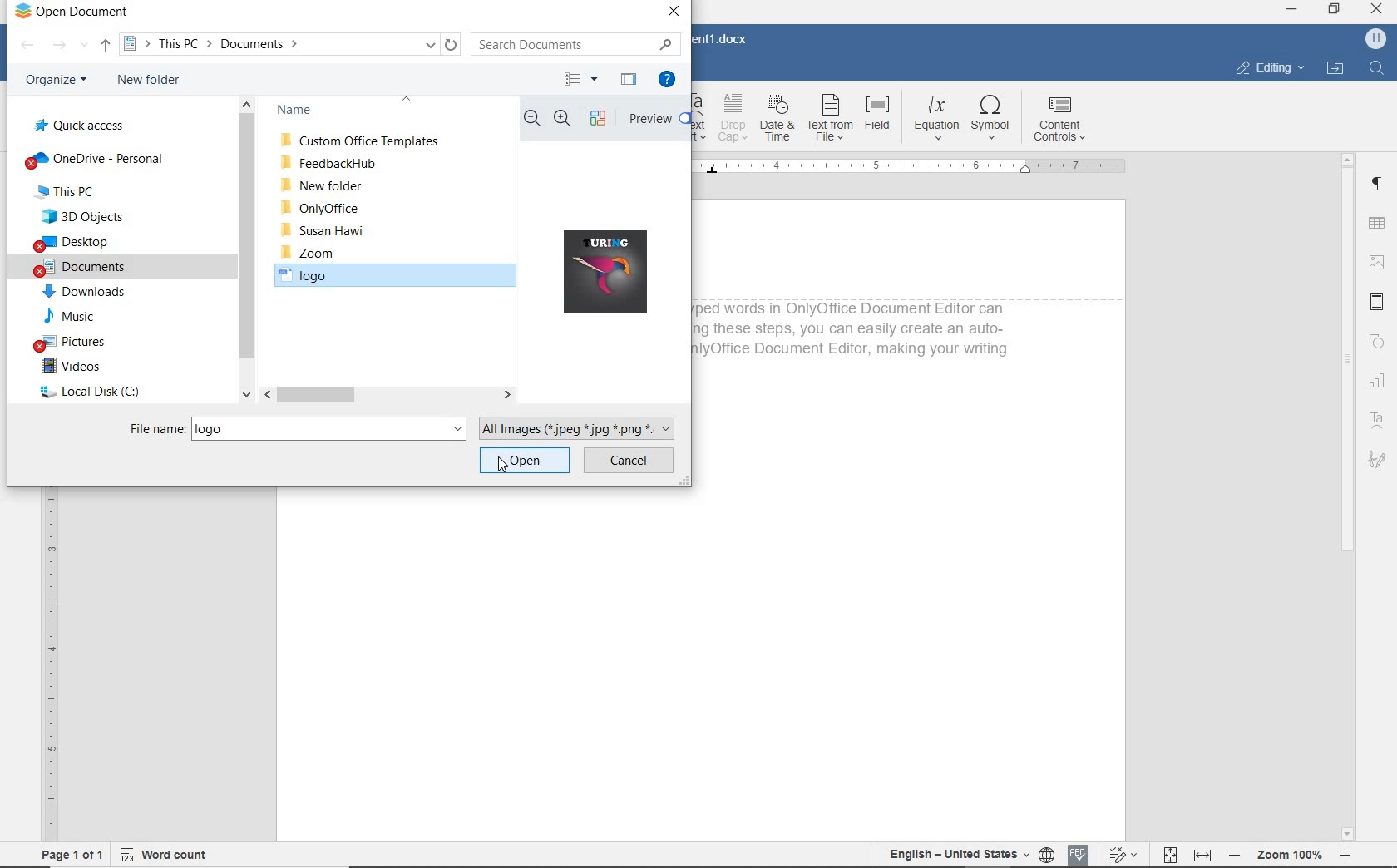 The height and width of the screenshot is (868, 1397). I want to click on BACK, so click(27, 46).